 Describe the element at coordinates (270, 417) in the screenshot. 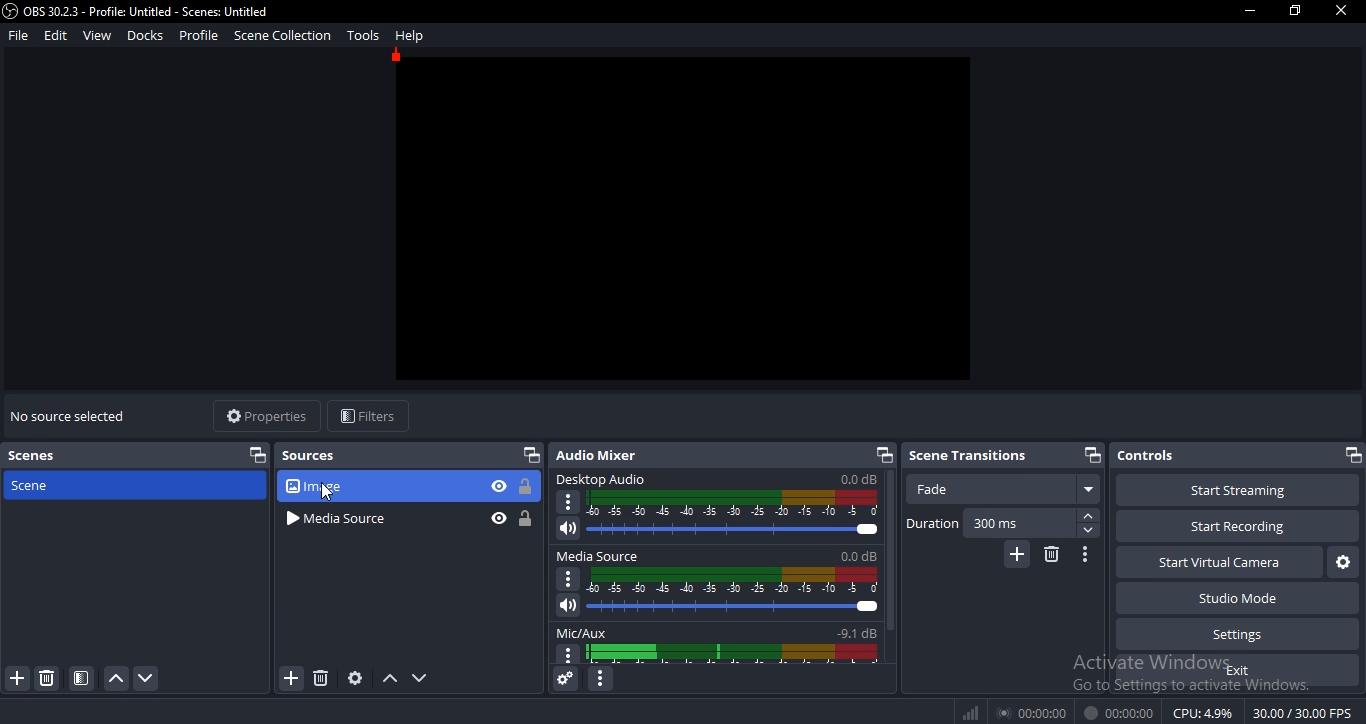

I see `properties` at that location.